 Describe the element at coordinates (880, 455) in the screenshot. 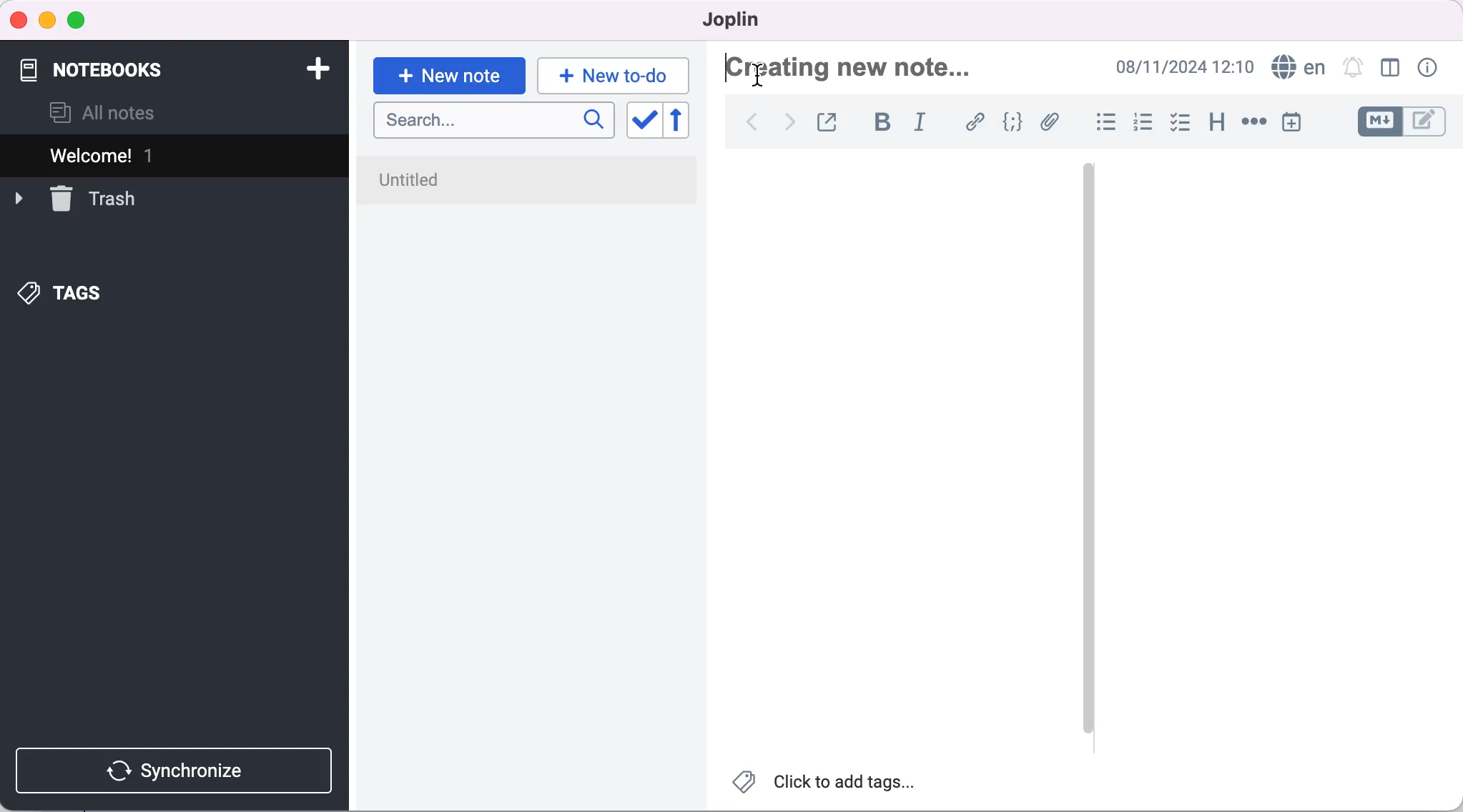

I see `blank canvas` at that location.